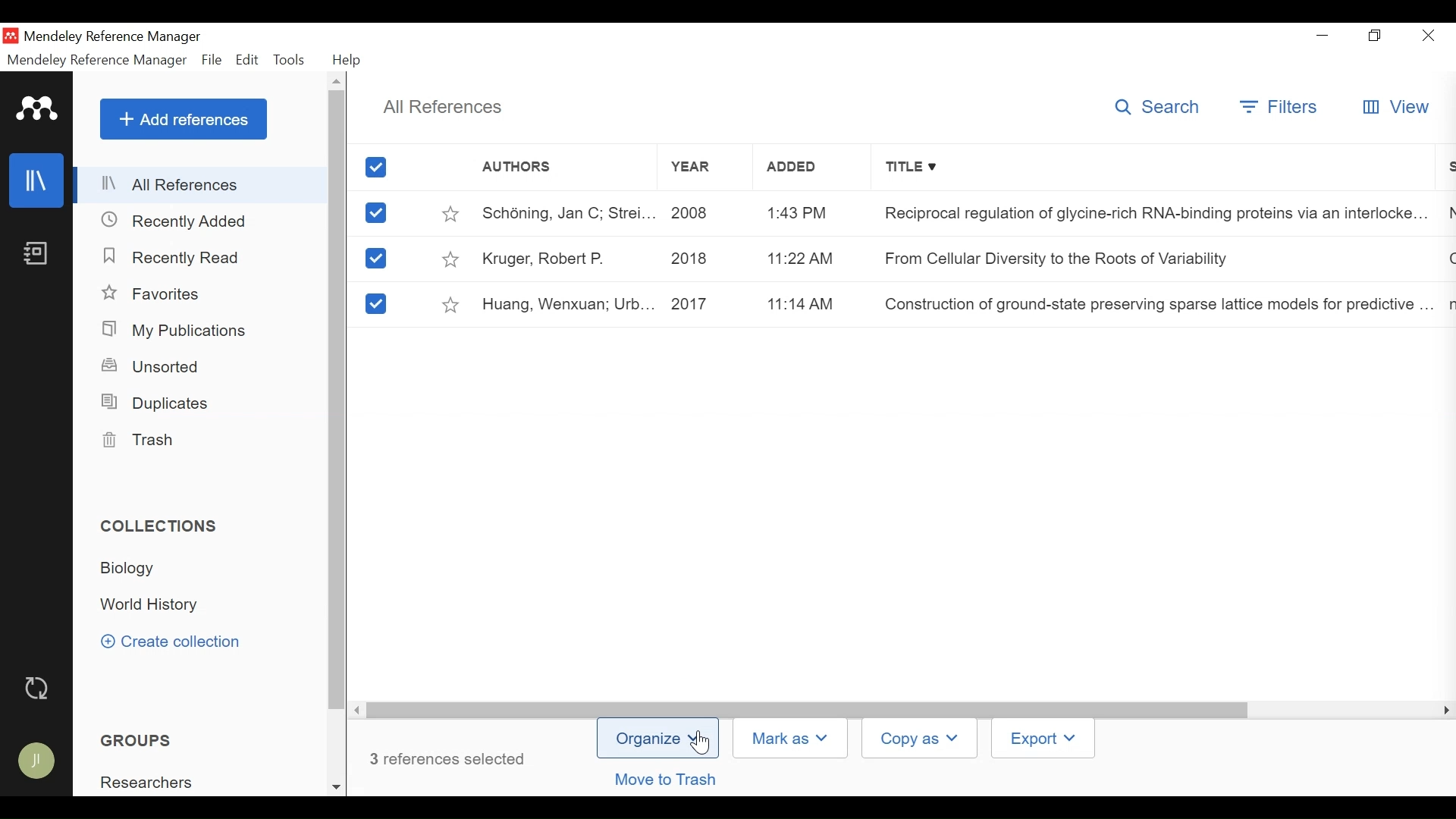 The image size is (1456, 819). What do you see at coordinates (374, 304) in the screenshot?
I see `(un)select` at bounding box center [374, 304].